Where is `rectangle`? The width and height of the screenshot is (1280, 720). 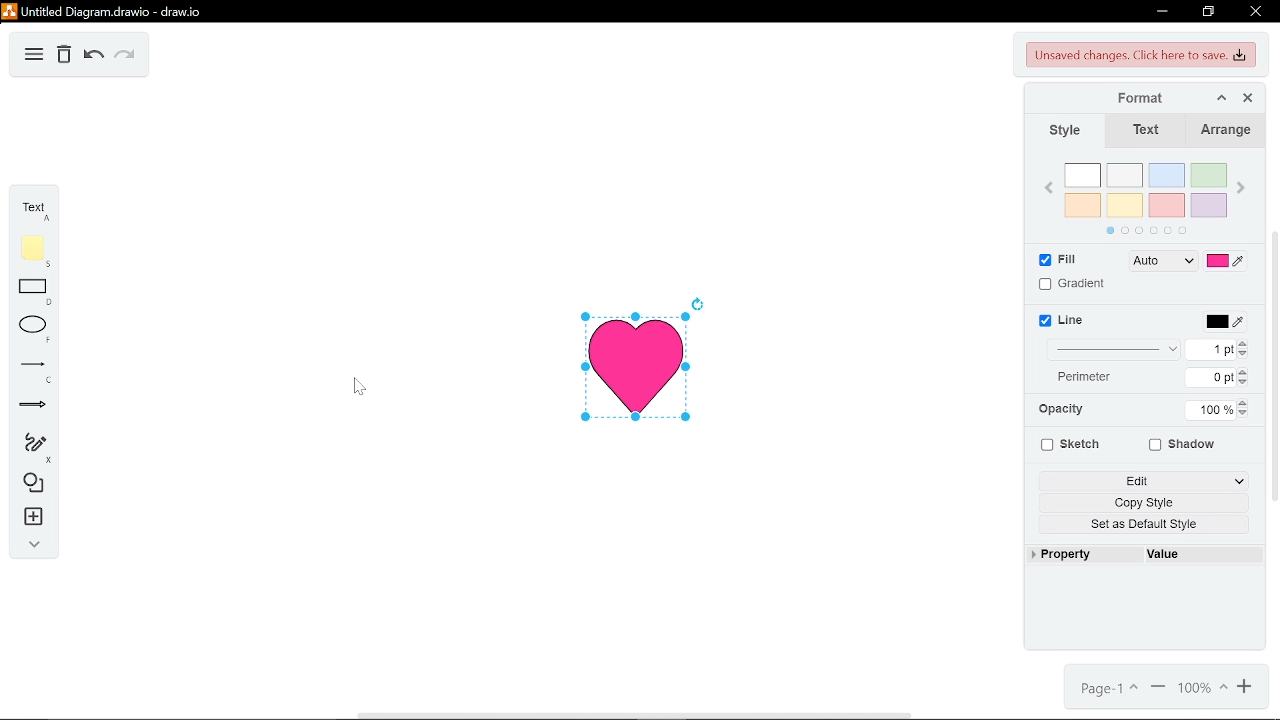
rectangle is located at coordinates (33, 293).